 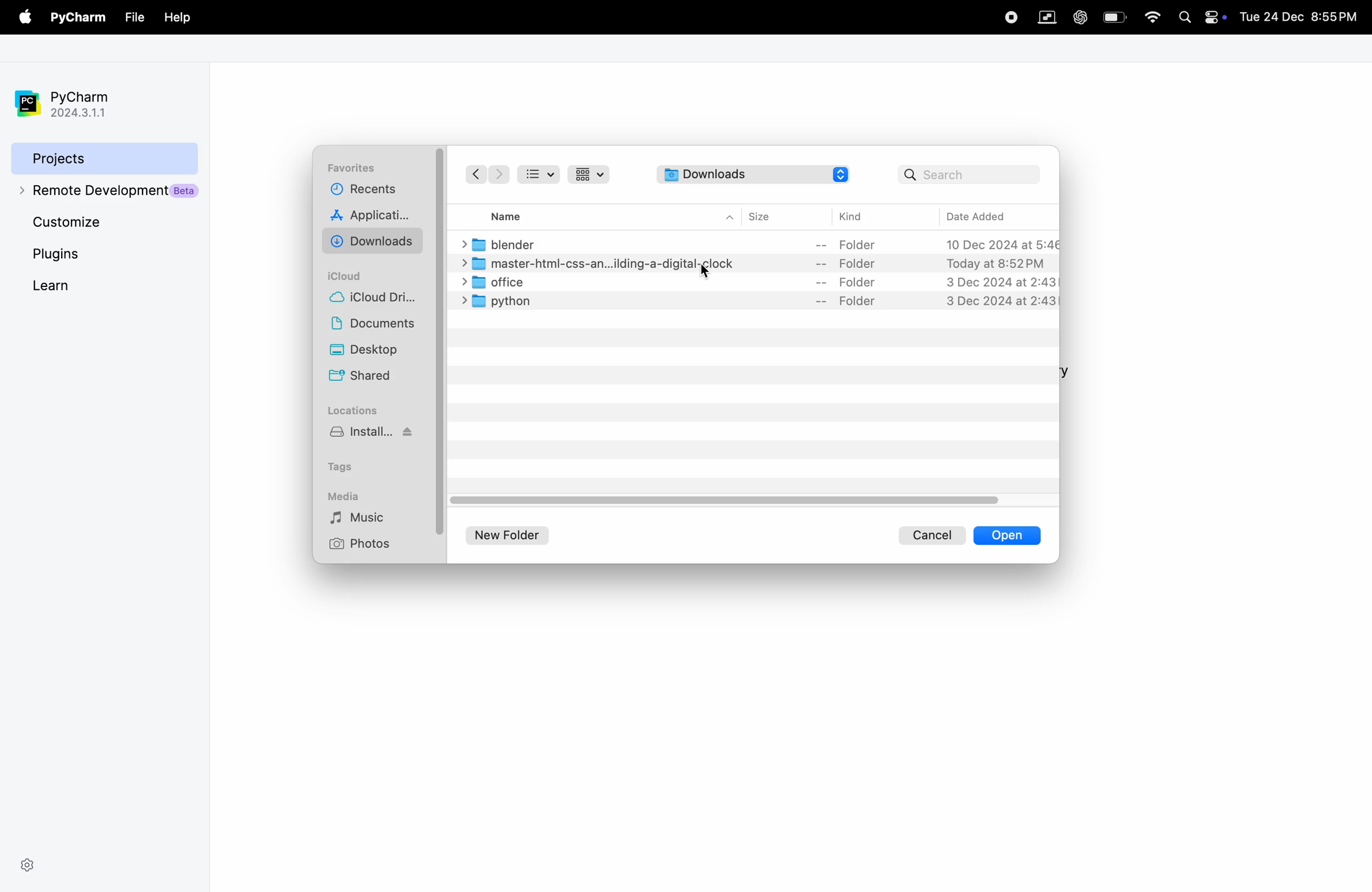 What do you see at coordinates (350, 275) in the screenshot?
I see `icloud` at bounding box center [350, 275].